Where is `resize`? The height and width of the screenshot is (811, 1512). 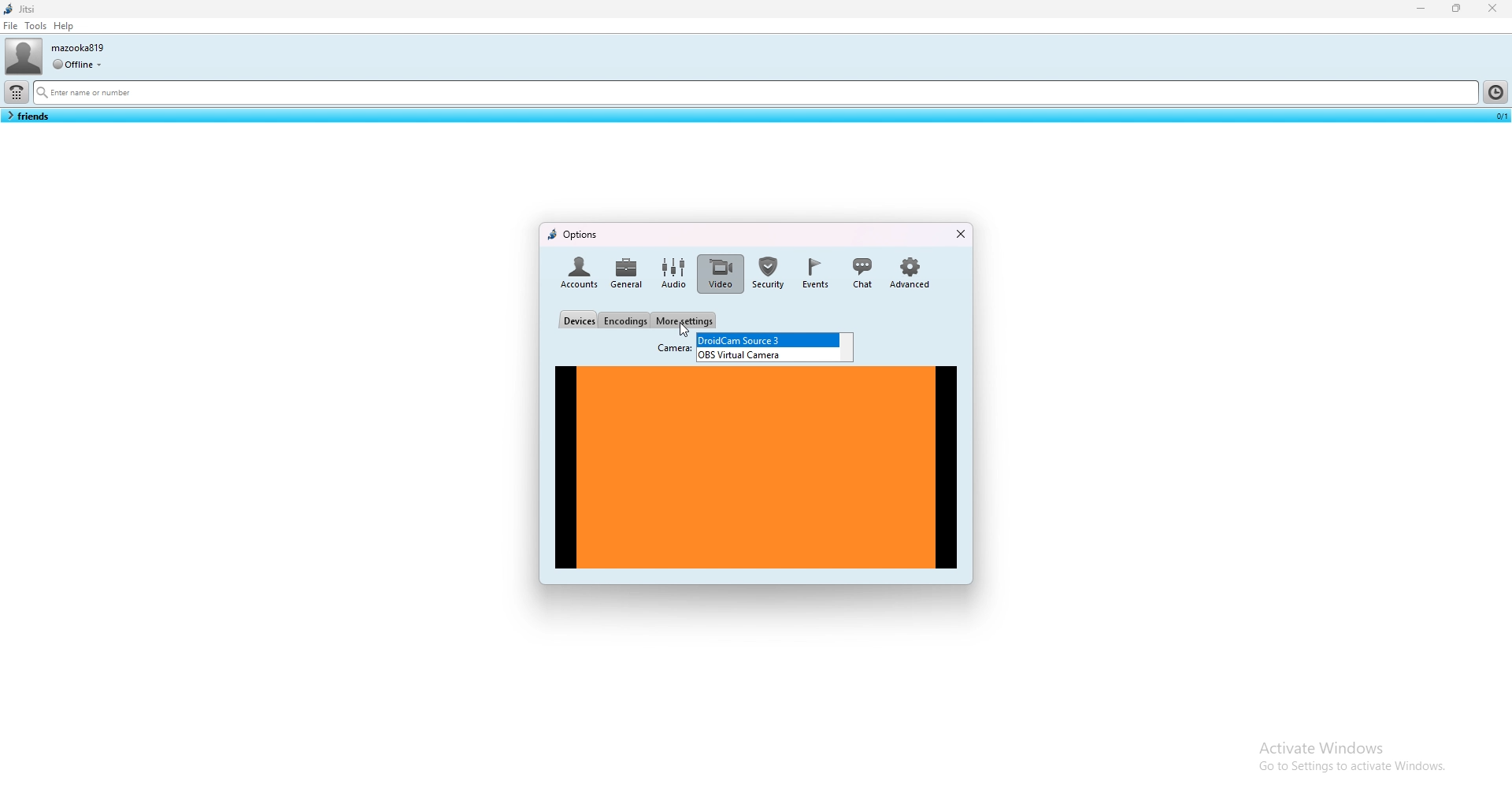 resize is located at coordinates (1458, 9).